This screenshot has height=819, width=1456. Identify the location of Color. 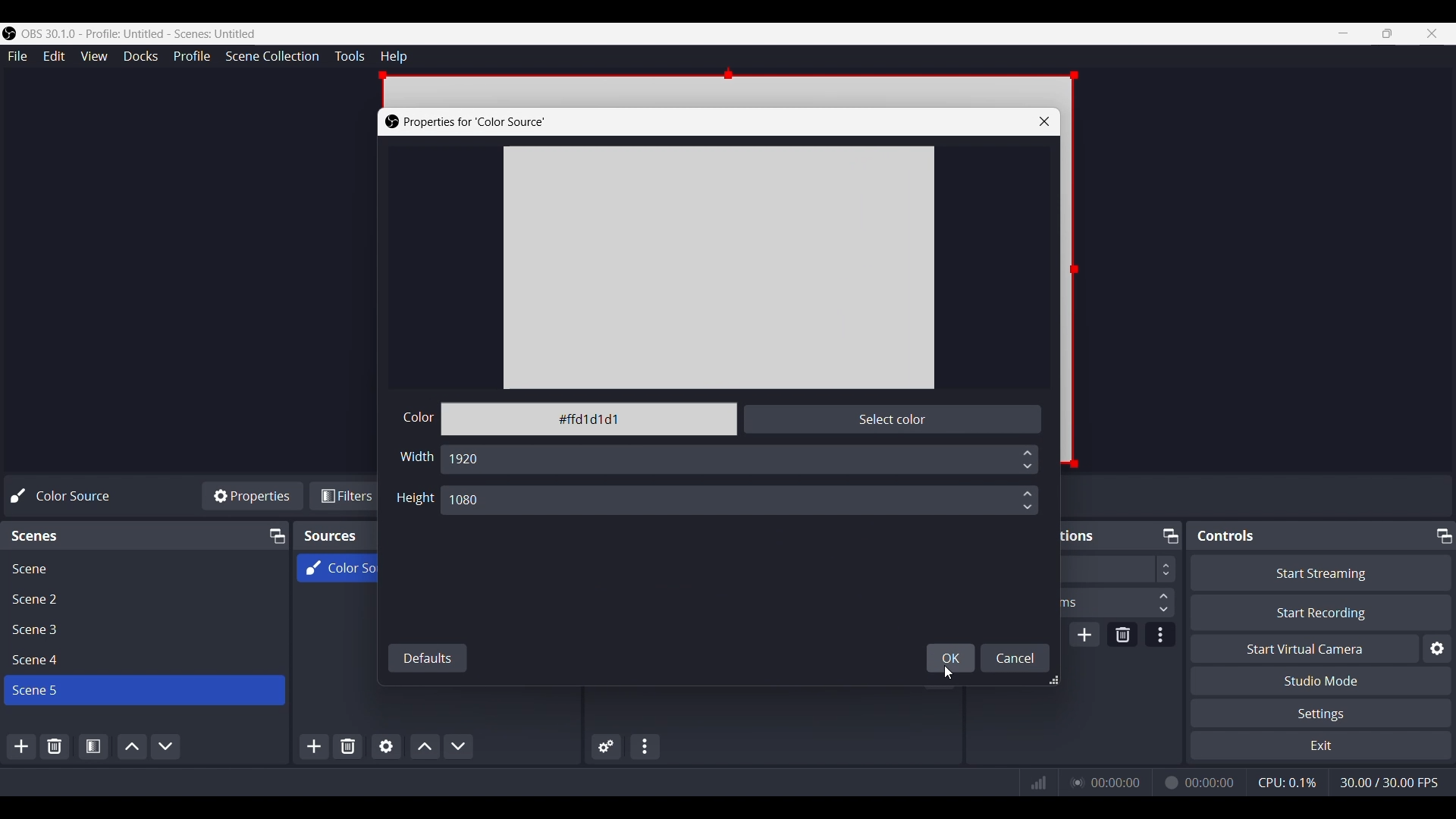
(416, 417).